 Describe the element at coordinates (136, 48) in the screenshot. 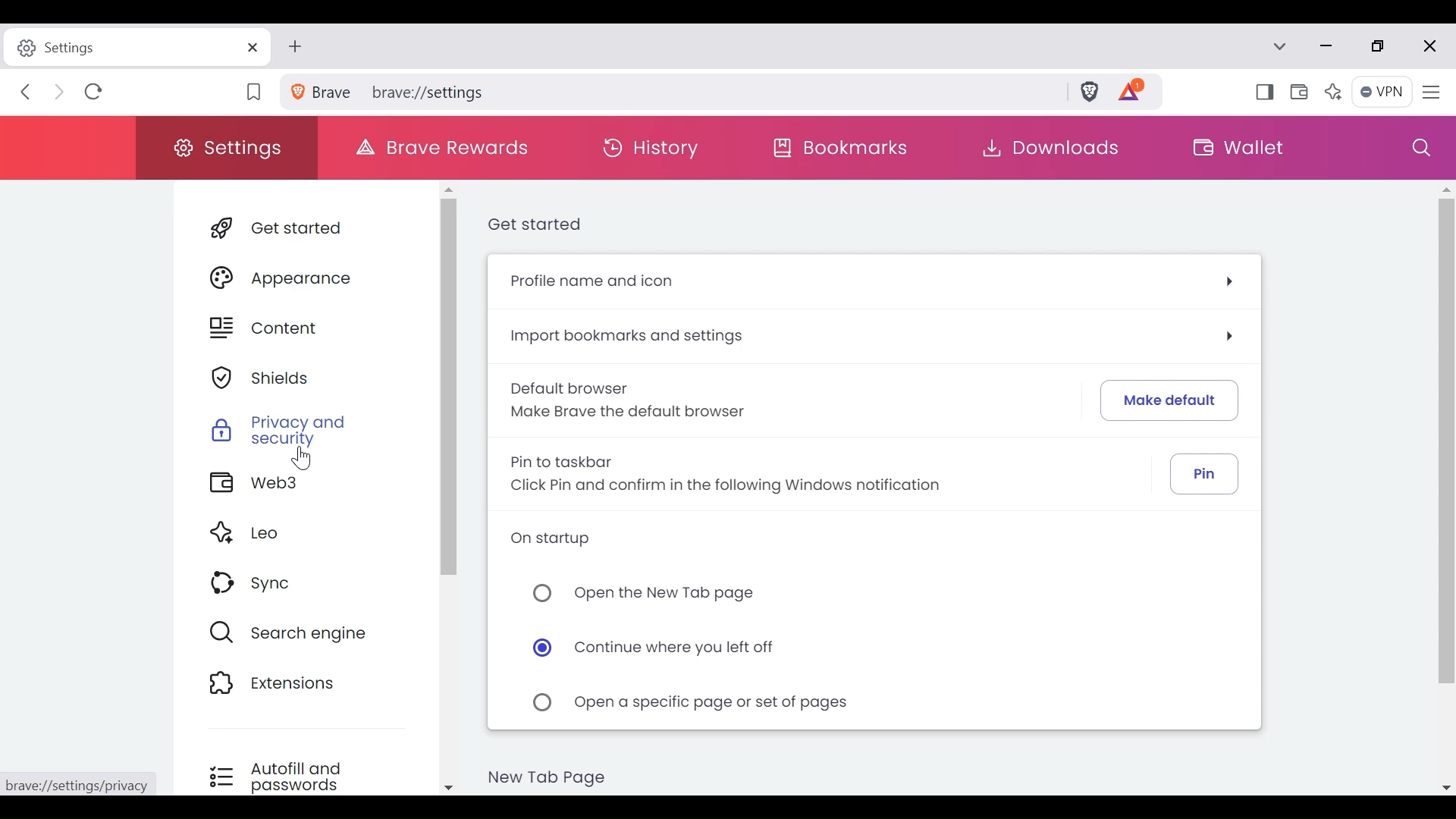

I see `Settings Tab` at that location.